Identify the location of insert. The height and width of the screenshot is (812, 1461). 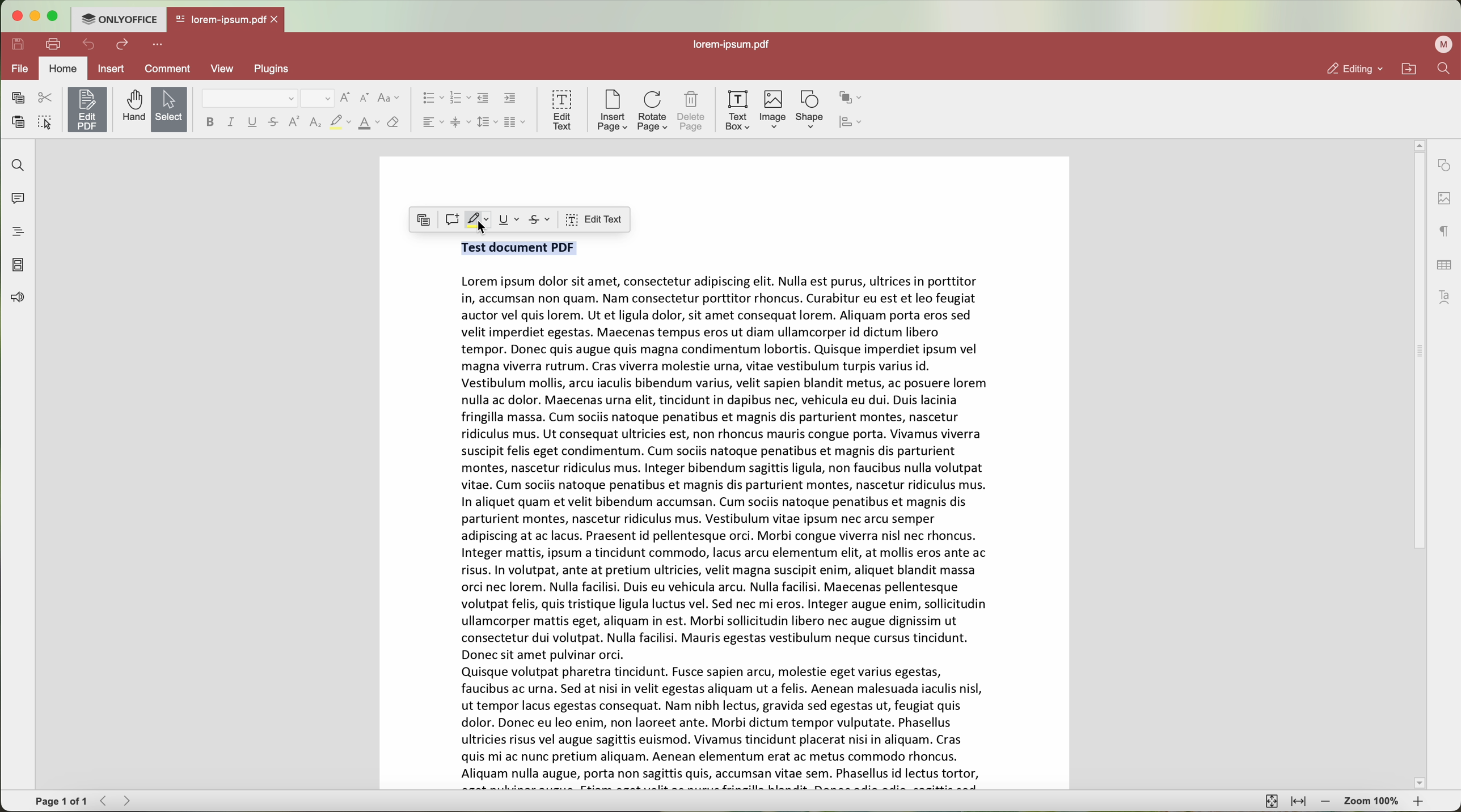
(117, 68).